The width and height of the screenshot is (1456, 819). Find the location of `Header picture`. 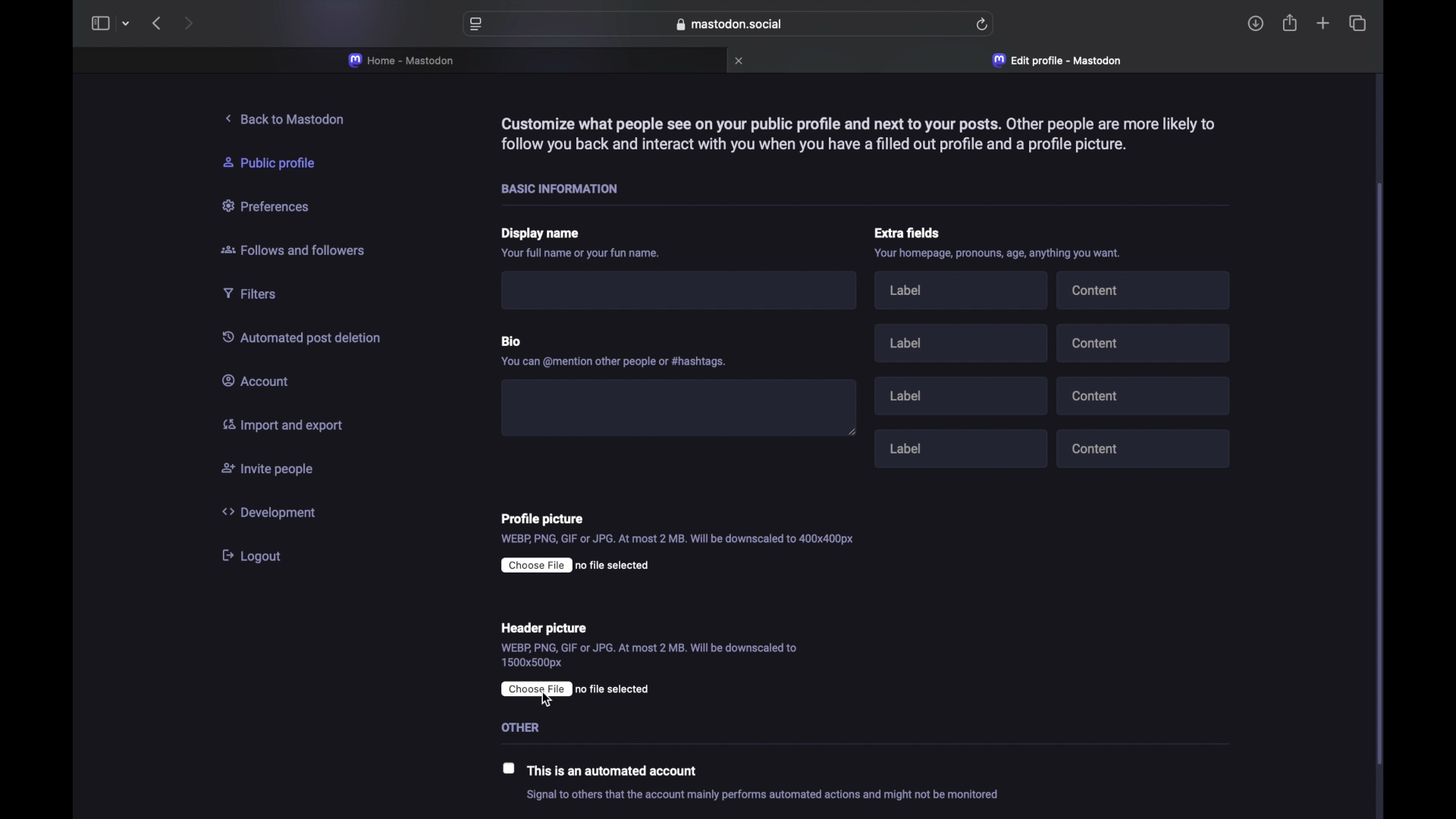

Header picture is located at coordinates (544, 626).